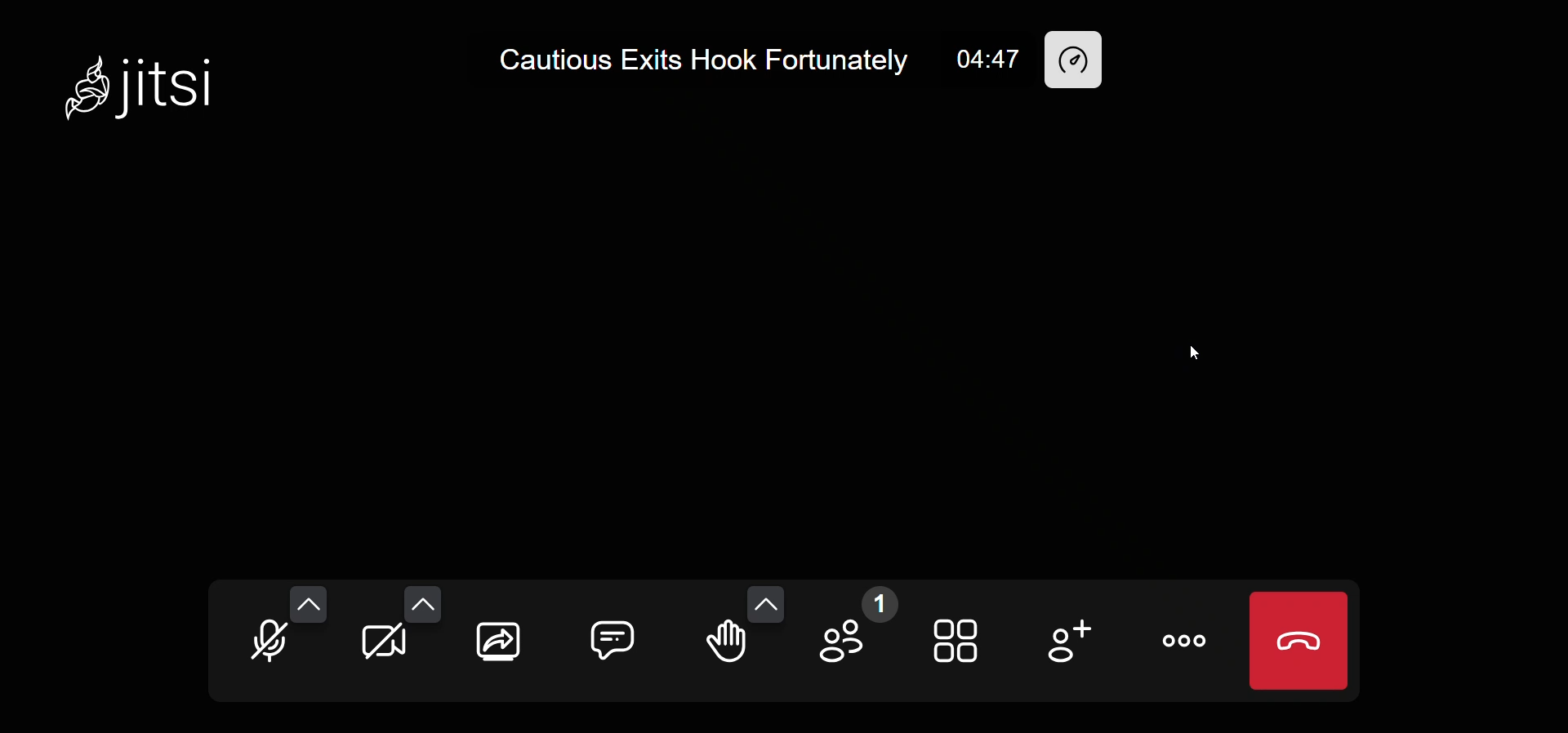 The width and height of the screenshot is (1568, 733). I want to click on microphone, so click(268, 646).